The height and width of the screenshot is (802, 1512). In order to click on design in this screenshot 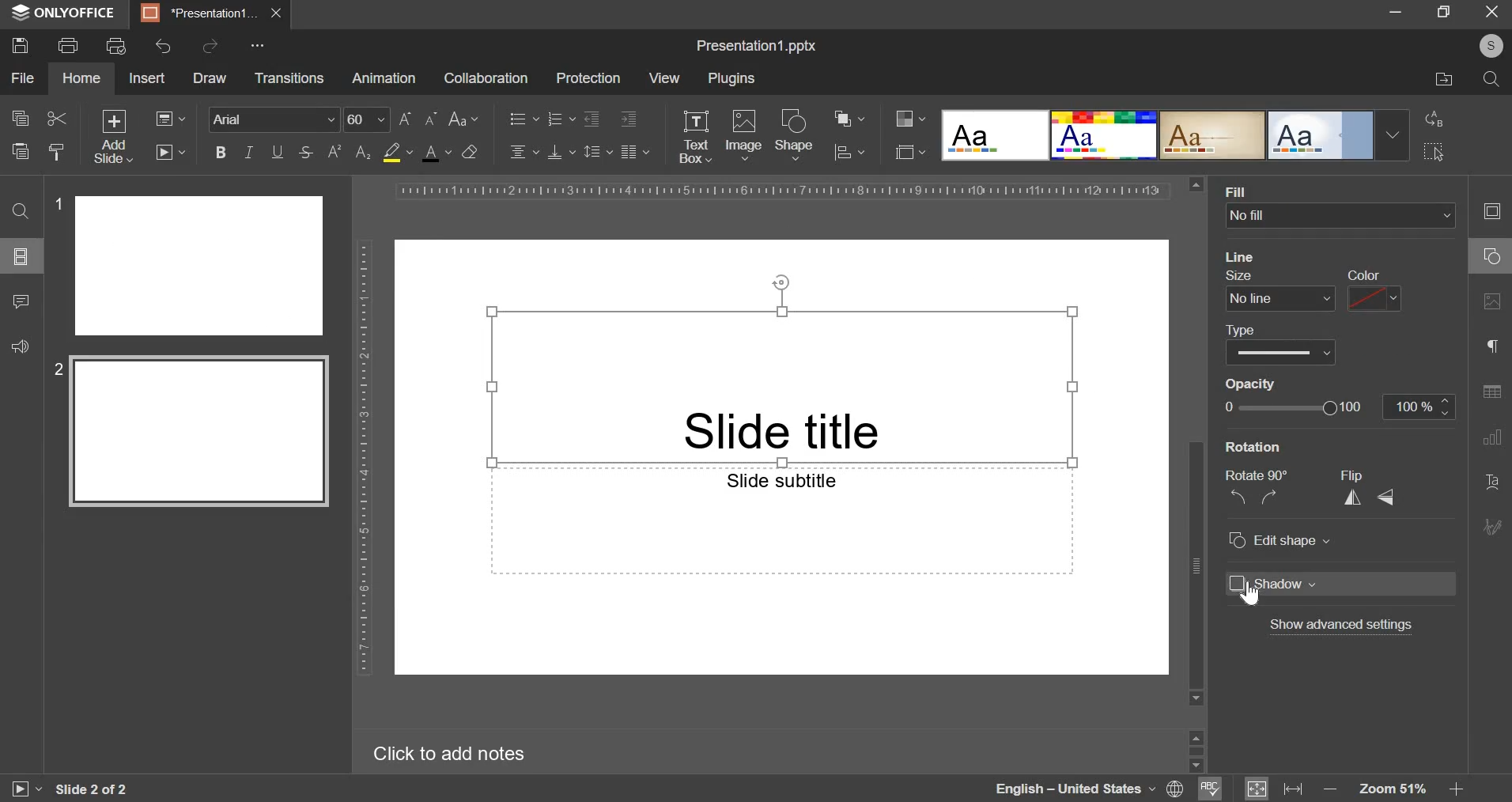, I will do `click(1175, 134)`.